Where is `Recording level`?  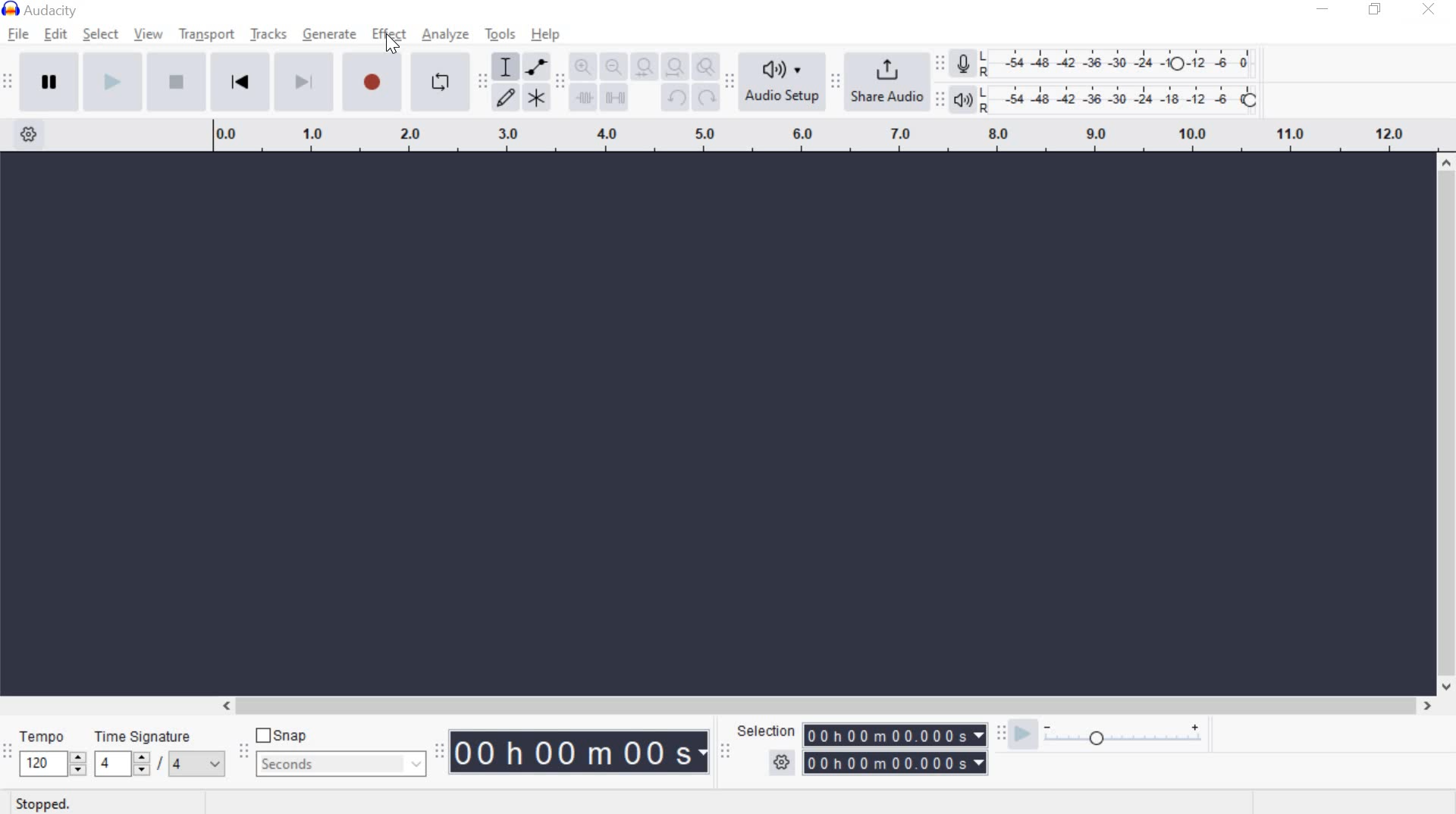
Recording level is located at coordinates (1123, 61).